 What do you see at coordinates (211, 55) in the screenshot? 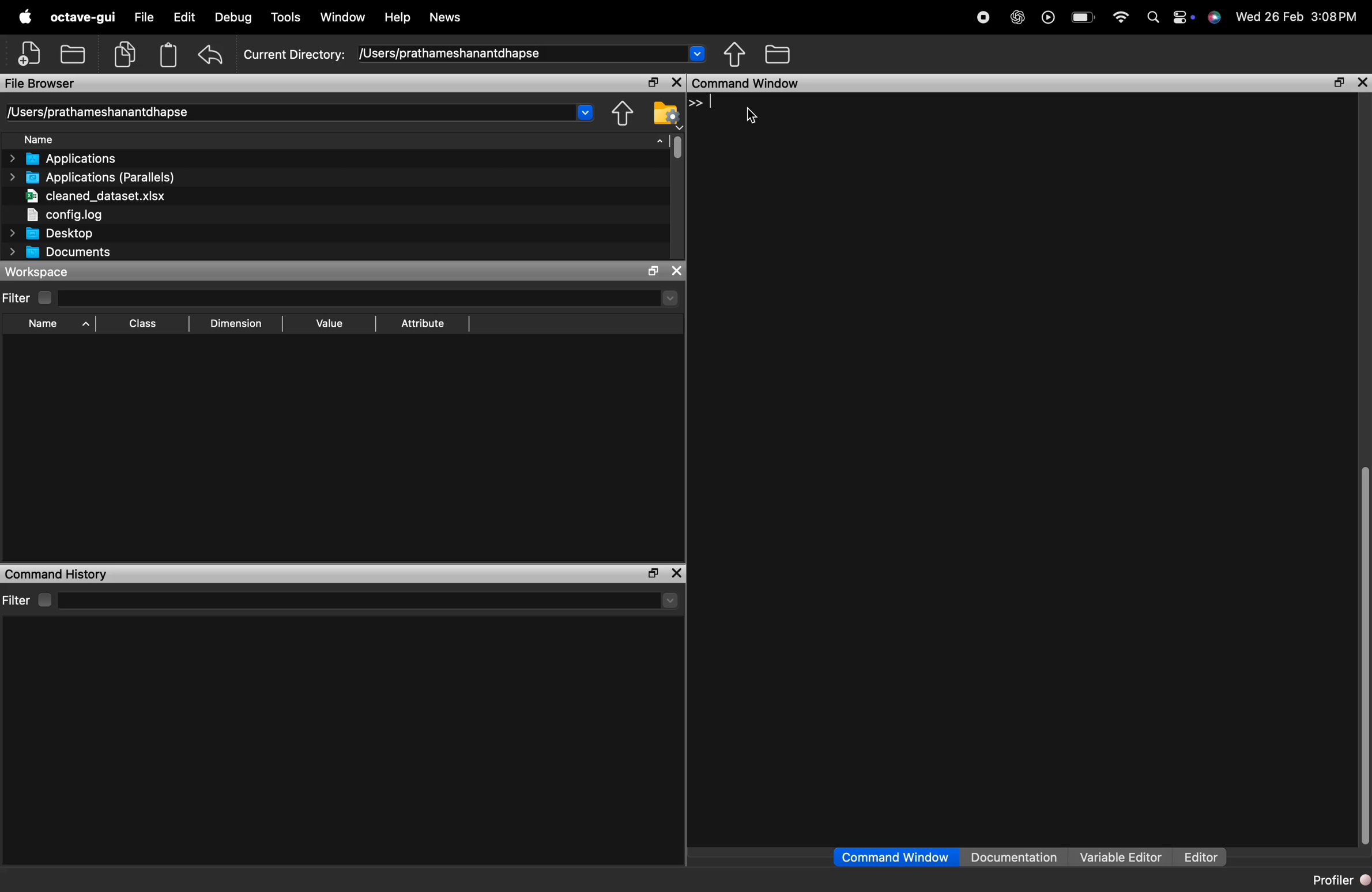
I see `undo` at bounding box center [211, 55].